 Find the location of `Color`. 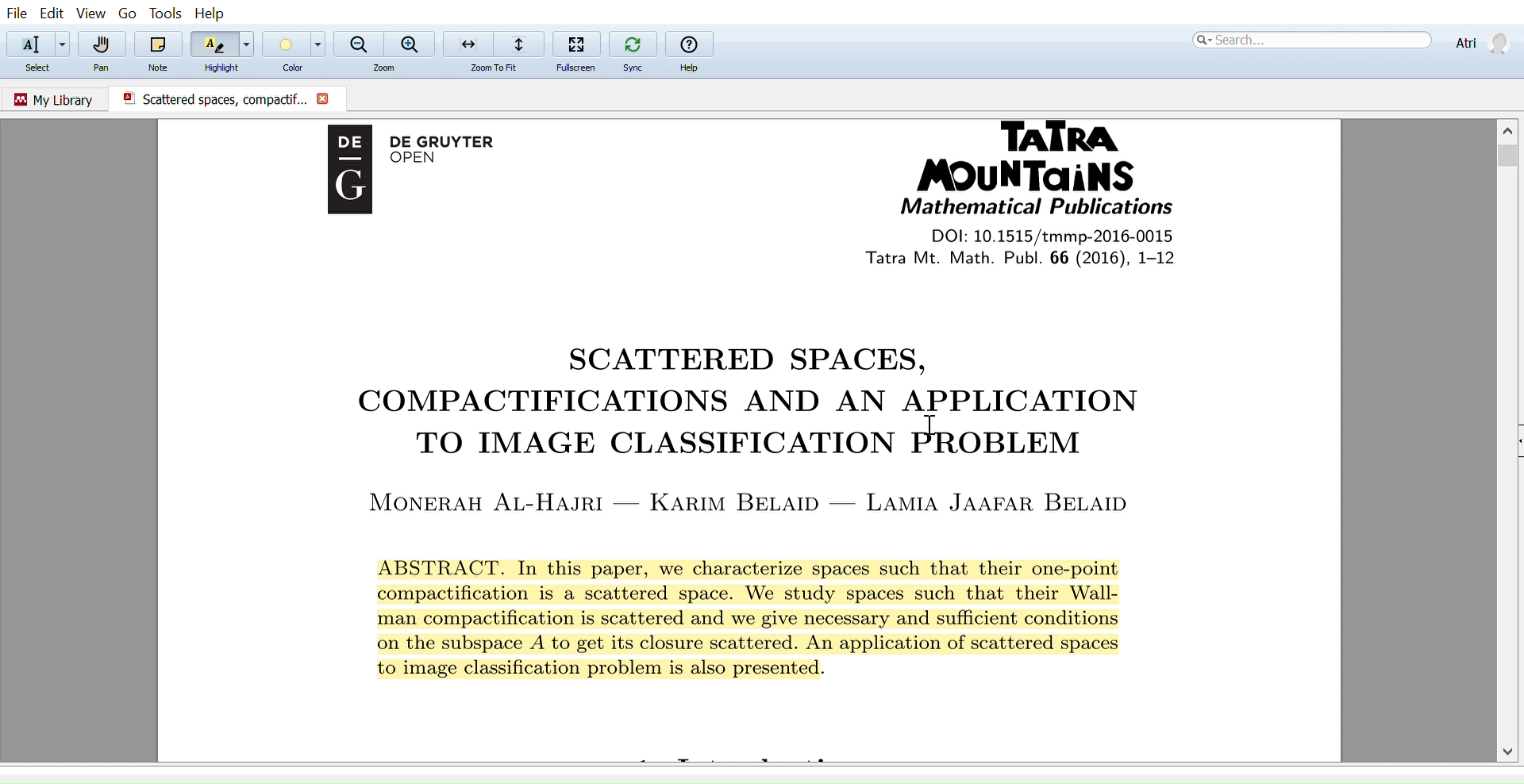

Color is located at coordinates (284, 44).